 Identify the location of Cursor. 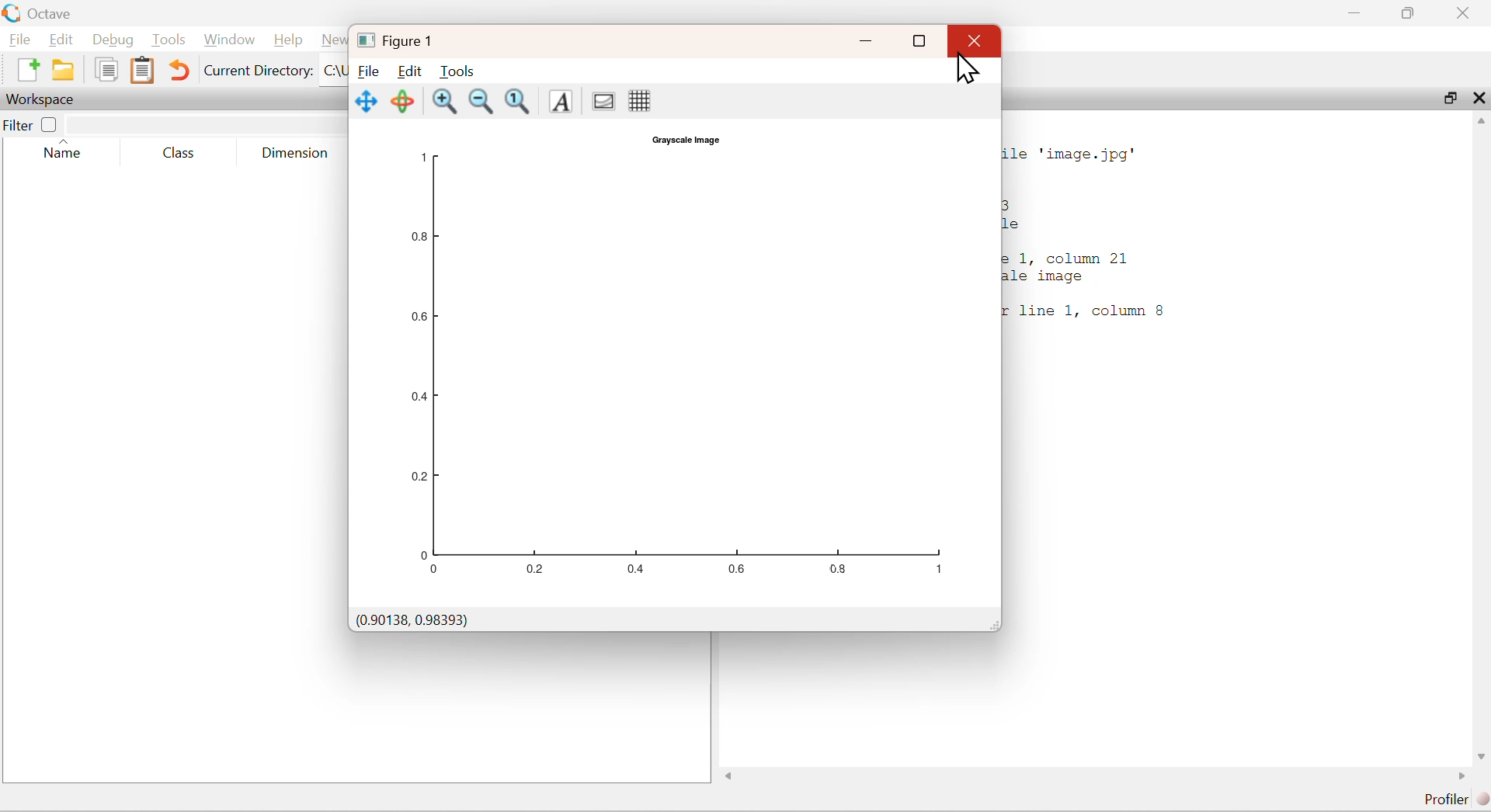
(971, 70).